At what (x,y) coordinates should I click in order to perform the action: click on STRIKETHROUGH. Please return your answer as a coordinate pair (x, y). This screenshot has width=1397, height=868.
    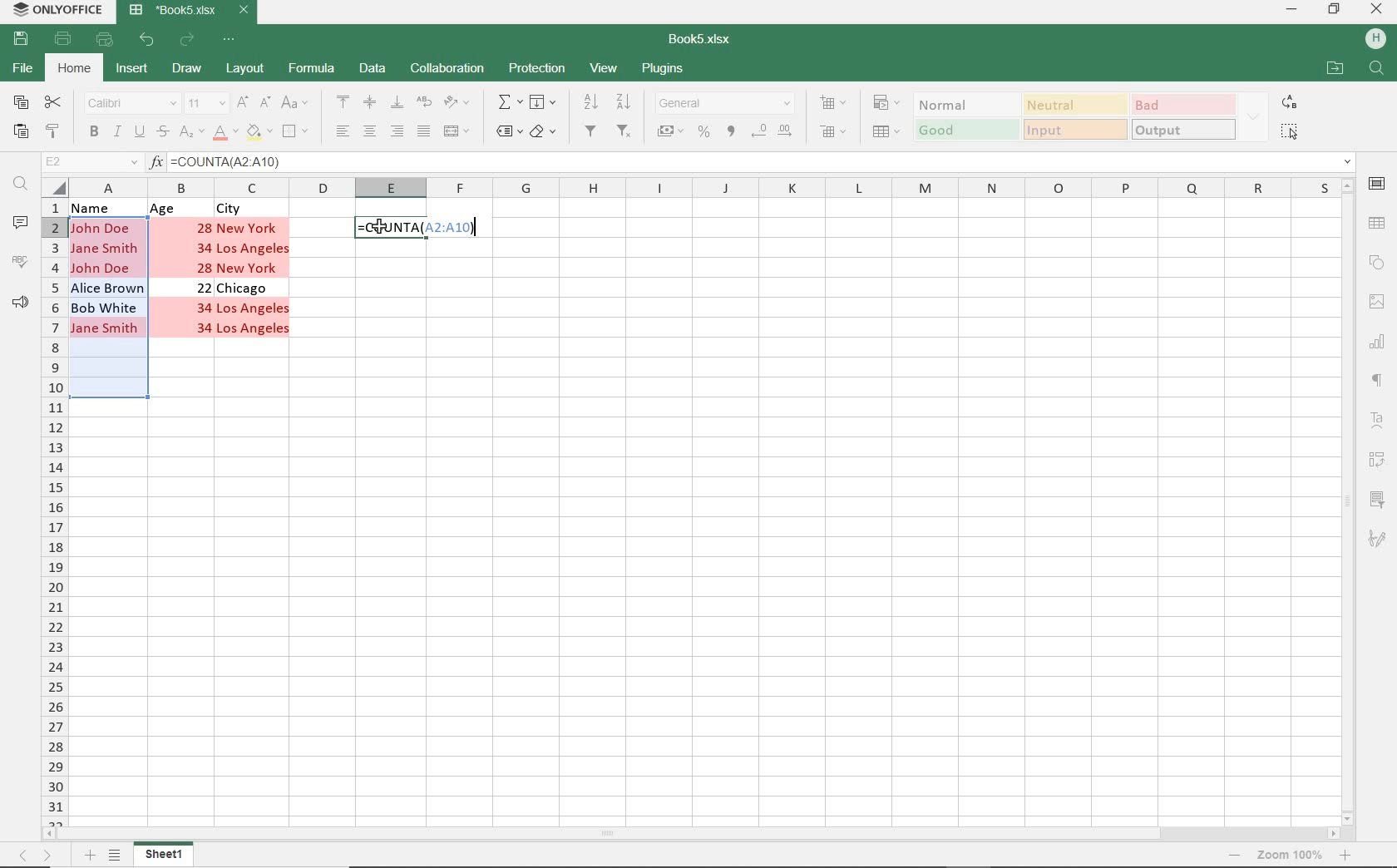
    Looking at the image, I should click on (161, 133).